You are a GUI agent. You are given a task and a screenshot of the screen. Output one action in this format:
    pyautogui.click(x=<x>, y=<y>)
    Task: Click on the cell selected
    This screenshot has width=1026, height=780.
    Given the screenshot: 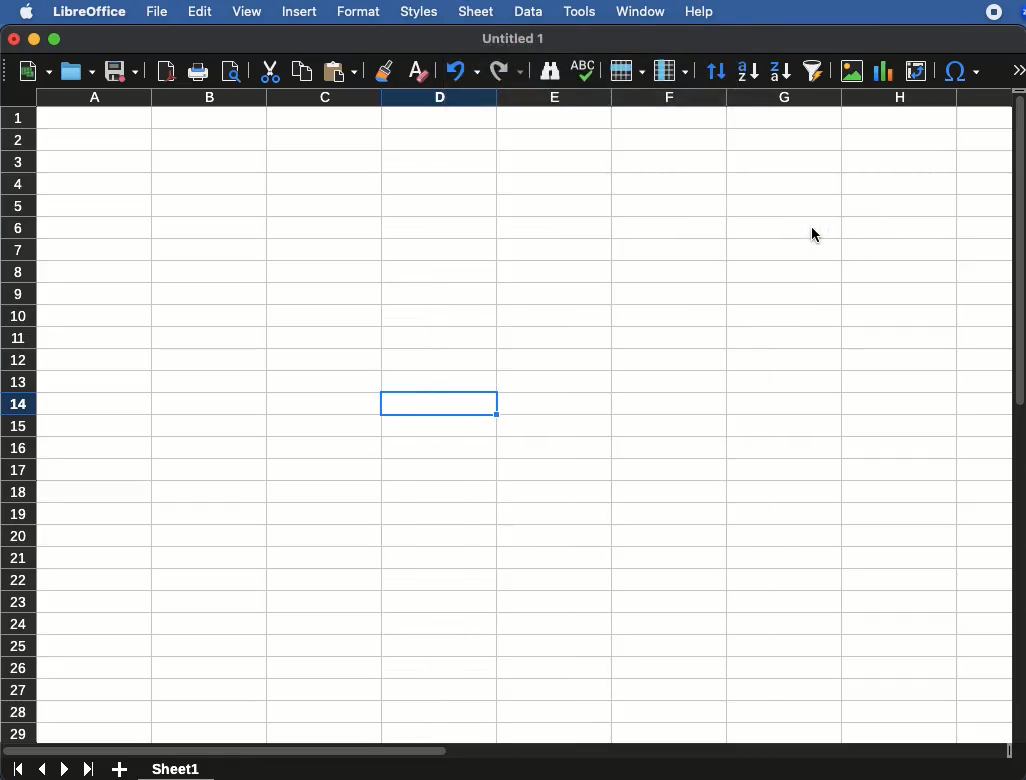 What is the action you would take?
    pyautogui.click(x=436, y=403)
    